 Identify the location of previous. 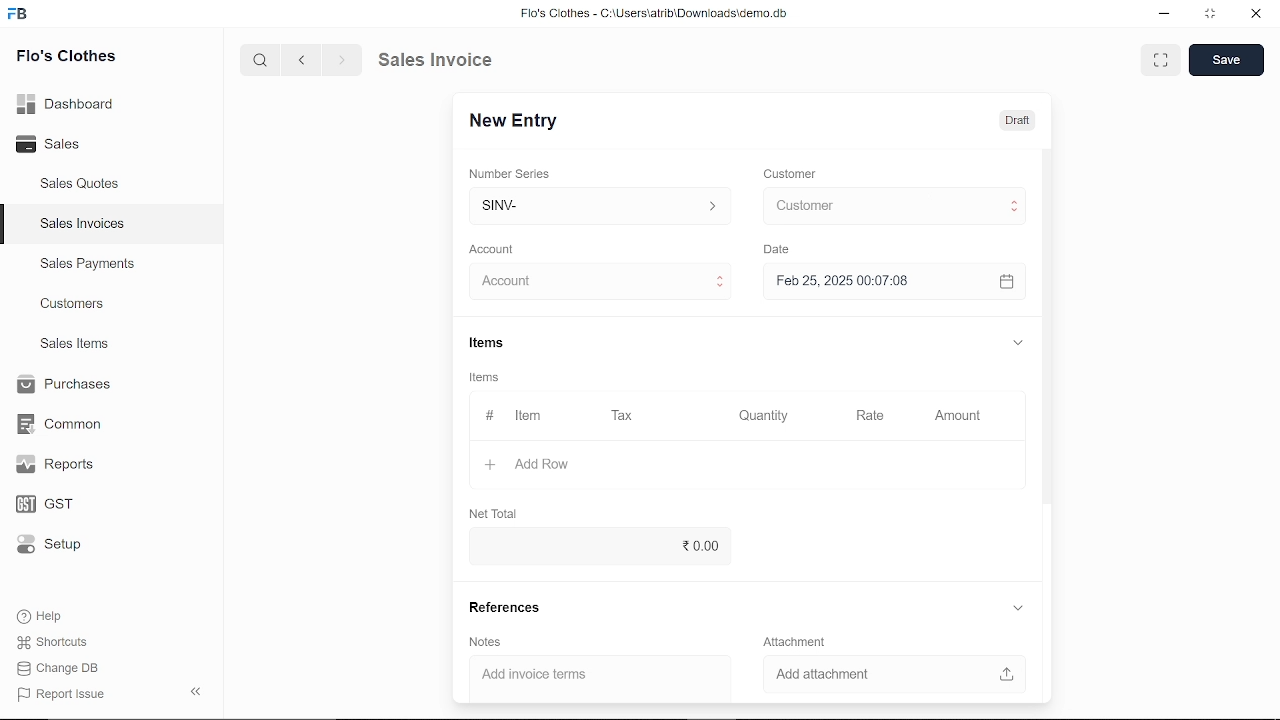
(303, 60).